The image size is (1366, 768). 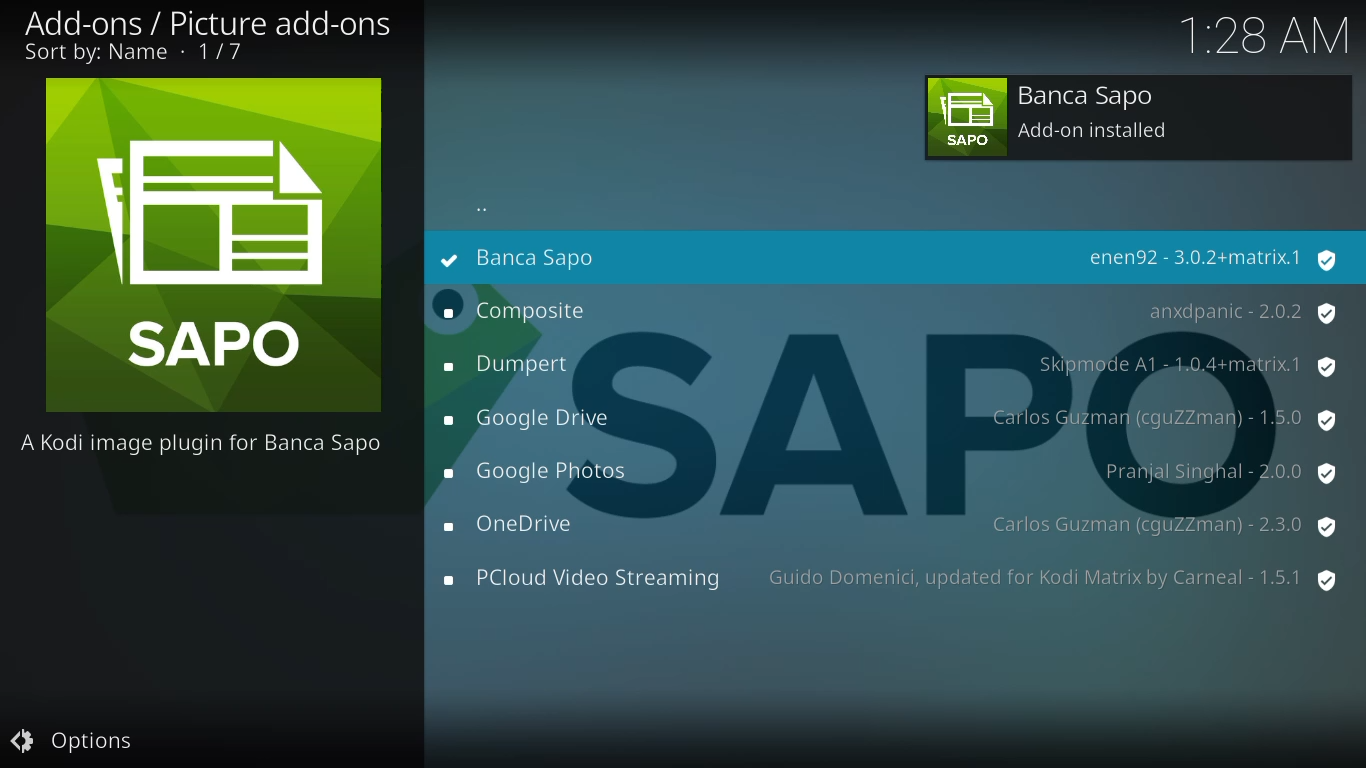 I want to click on sort by name, so click(x=130, y=55).